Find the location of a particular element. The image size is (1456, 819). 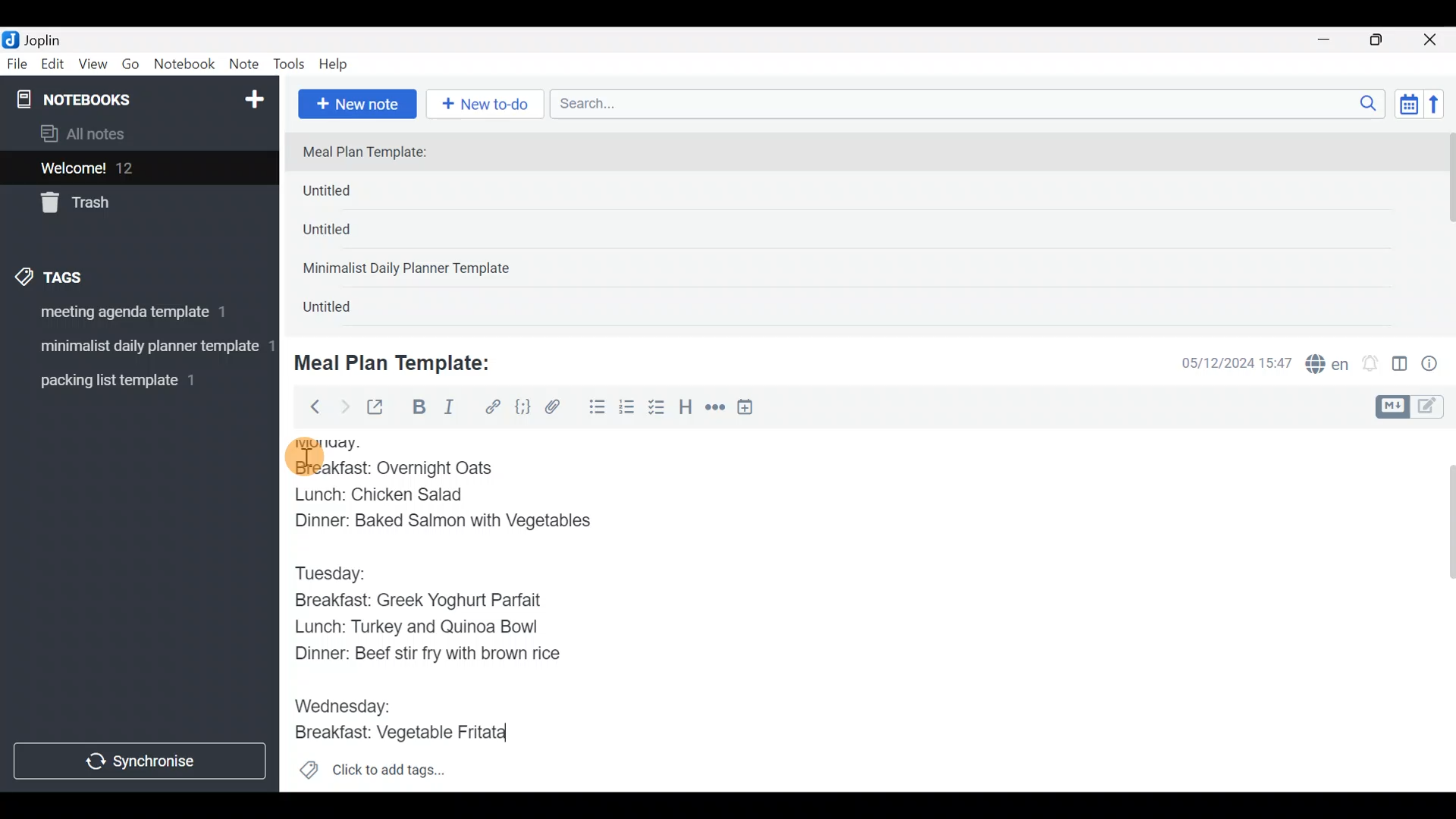

Meal Plan Template: is located at coordinates (402, 361).